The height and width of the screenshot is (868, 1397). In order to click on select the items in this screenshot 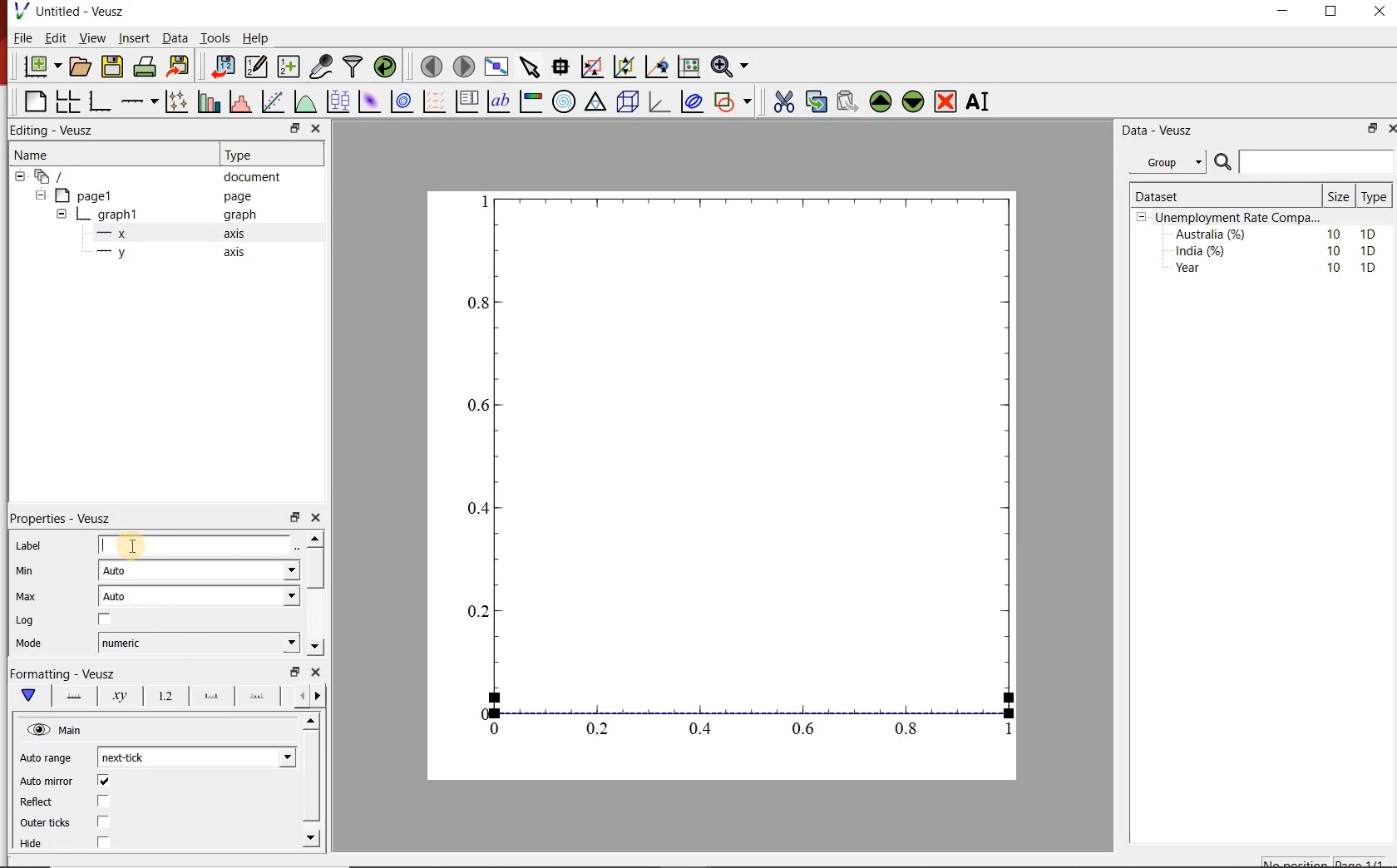, I will do `click(531, 65)`.